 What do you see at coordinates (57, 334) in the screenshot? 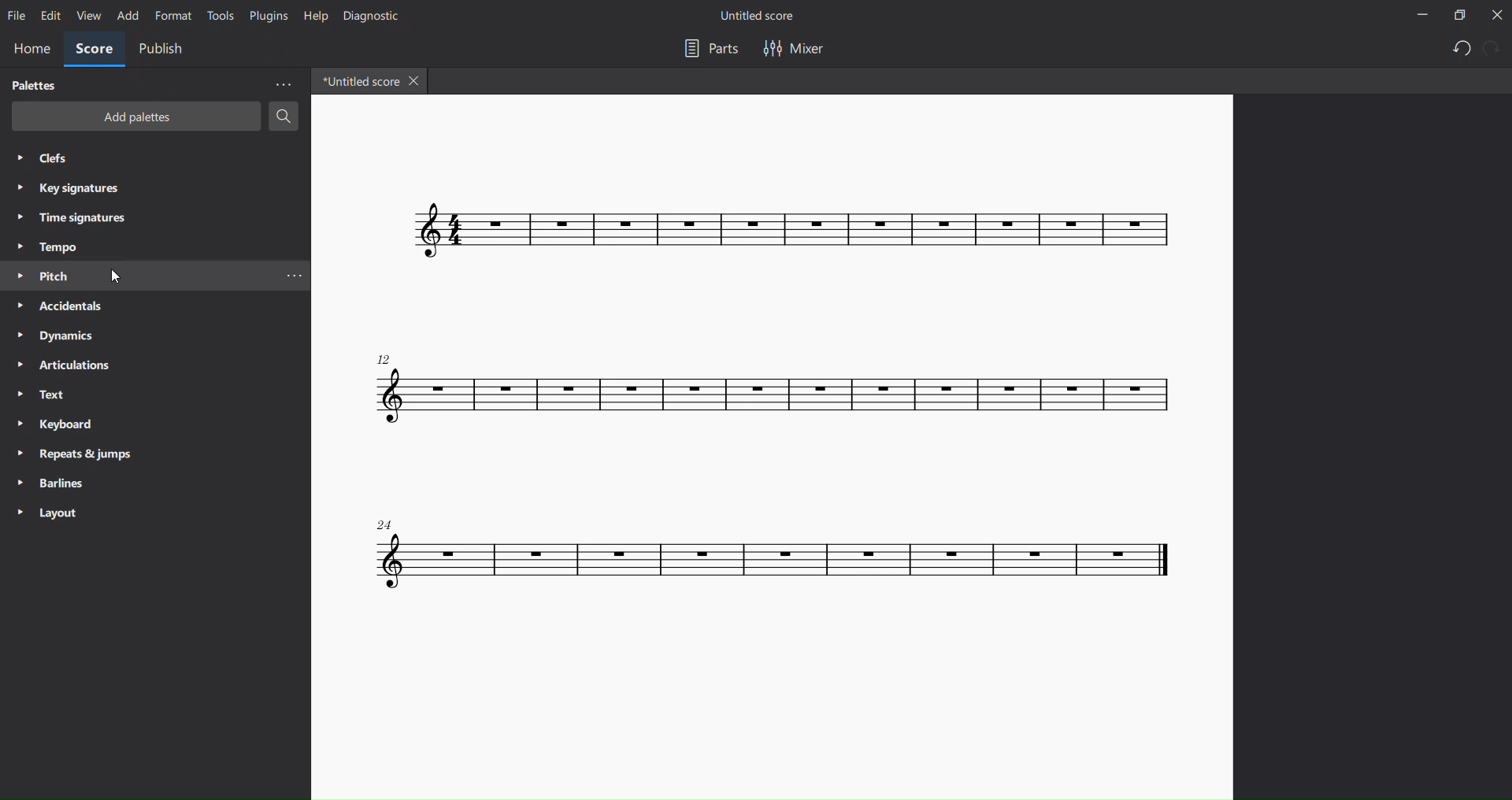
I see `dynamics` at bounding box center [57, 334].